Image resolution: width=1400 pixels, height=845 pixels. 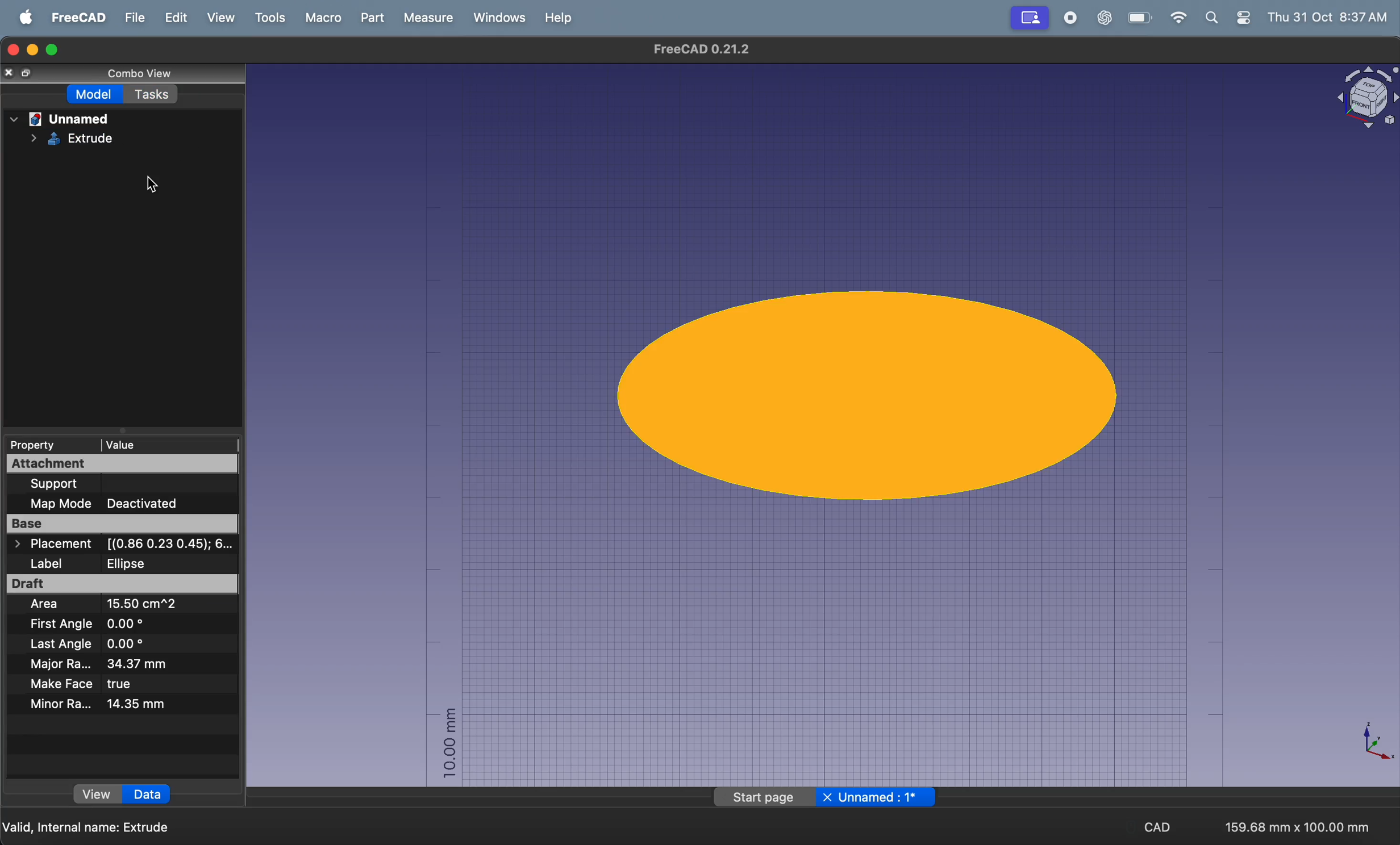 What do you see at coordinates (219, 18) in the screenshot?
I see `view` at bounding box center [219, 18].